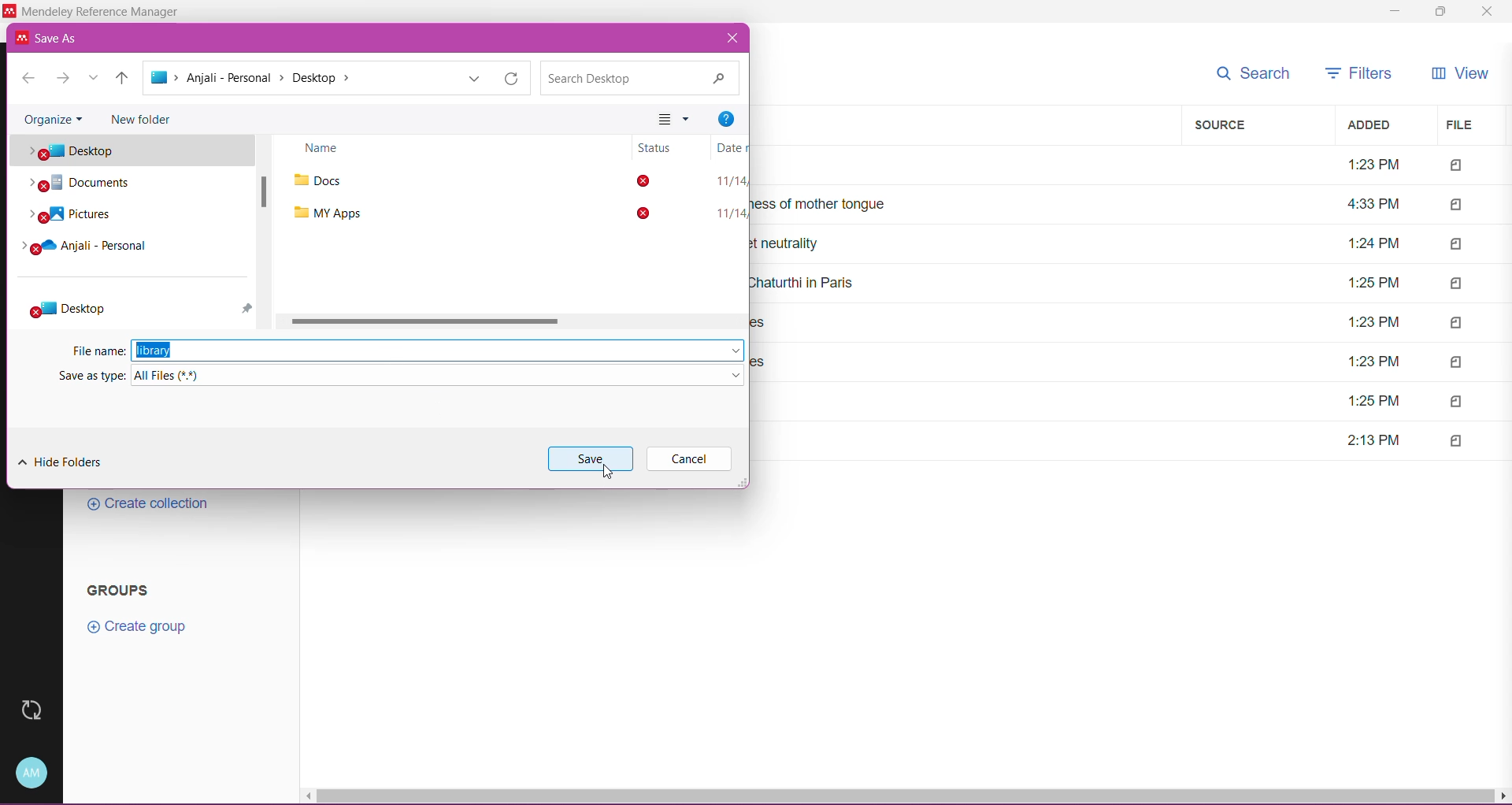  Describe the element at coordinates (328, 213) in the screenshot. I see `MY Apps` at that location.